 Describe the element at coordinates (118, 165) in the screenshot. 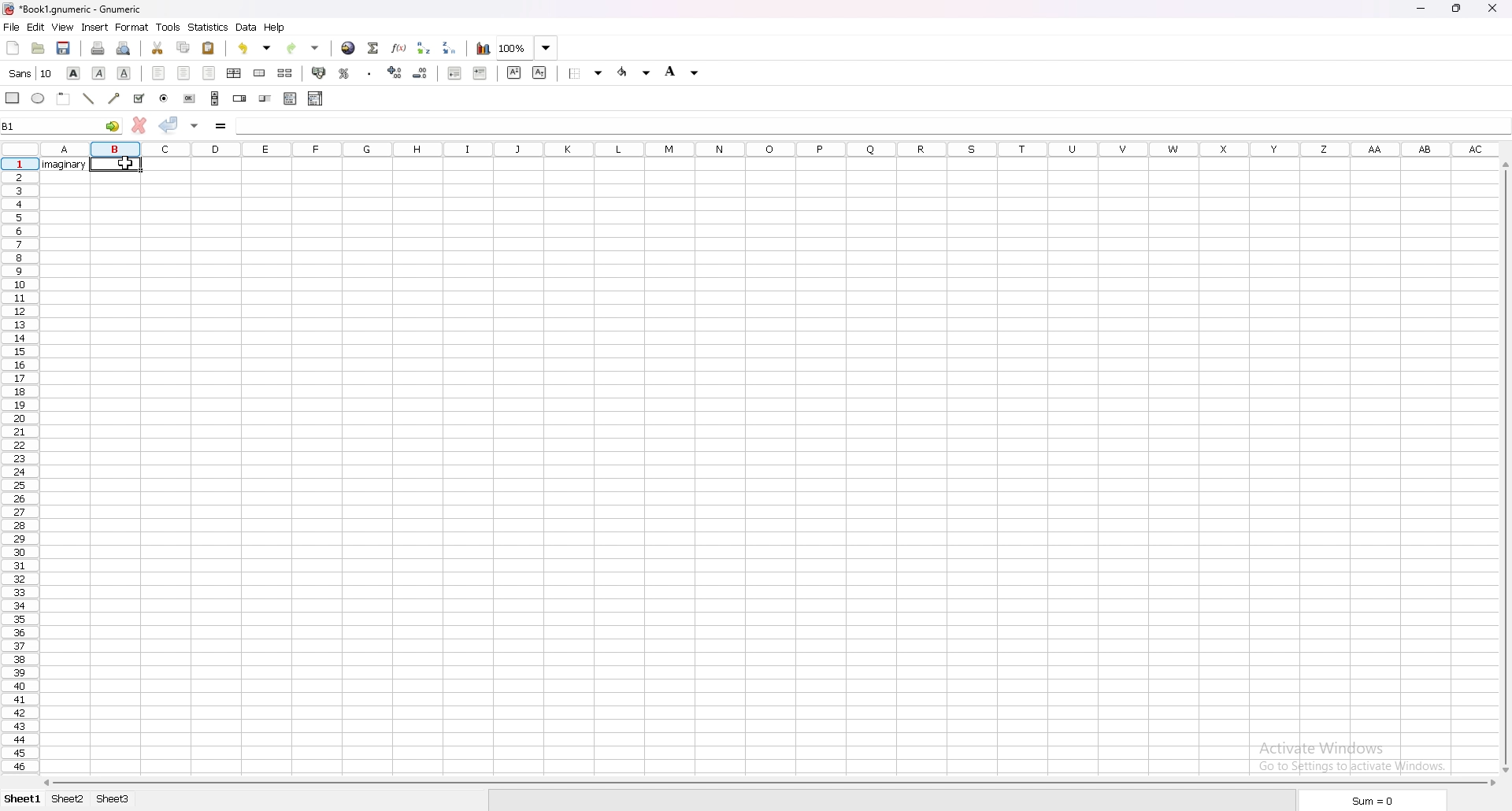

I see `selected cell` at that location.